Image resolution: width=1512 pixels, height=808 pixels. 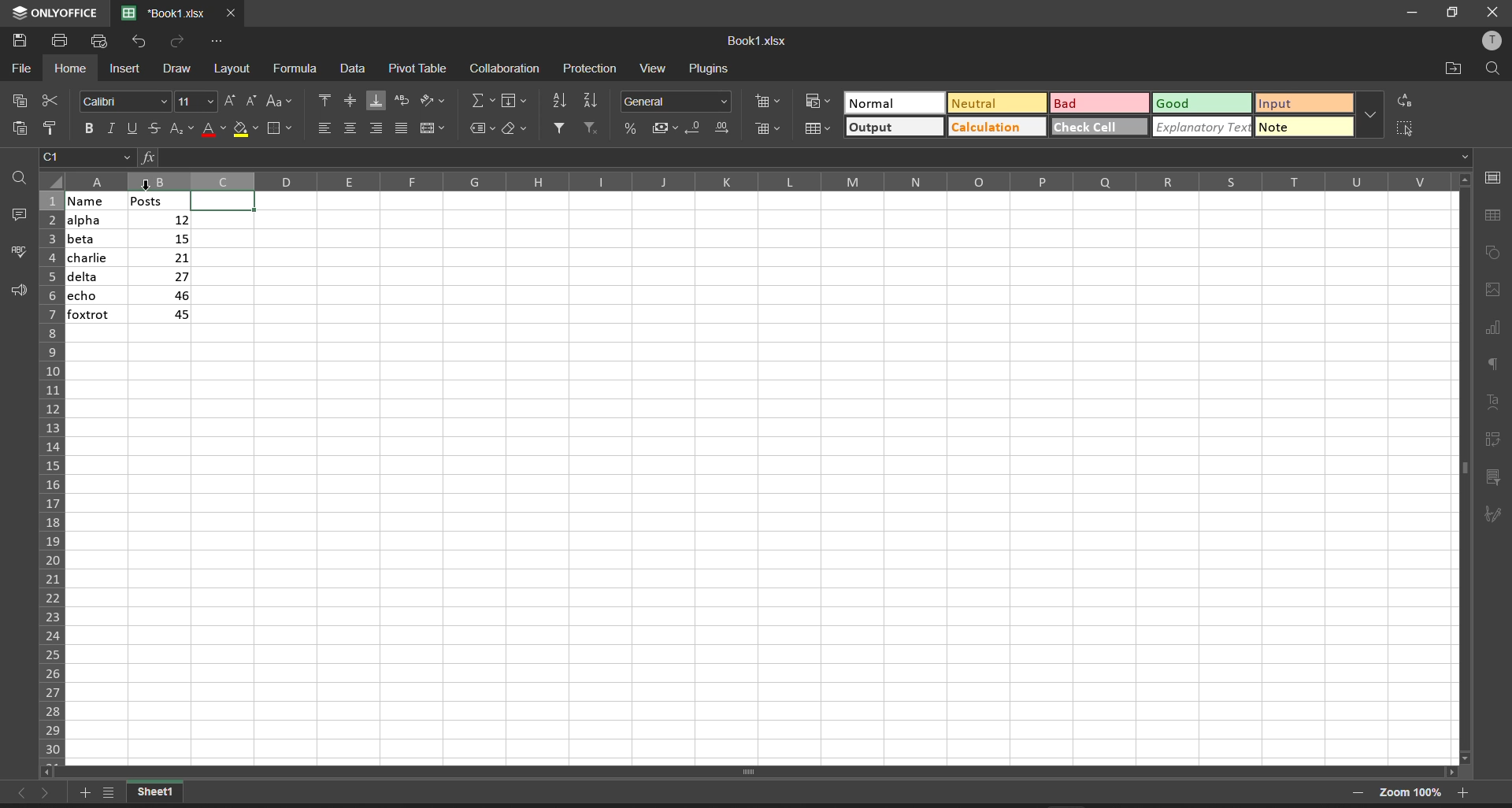 What do you see at coordinates (19, 218) in the screenshot?
I see `comments` at bounding box center [19, 218].